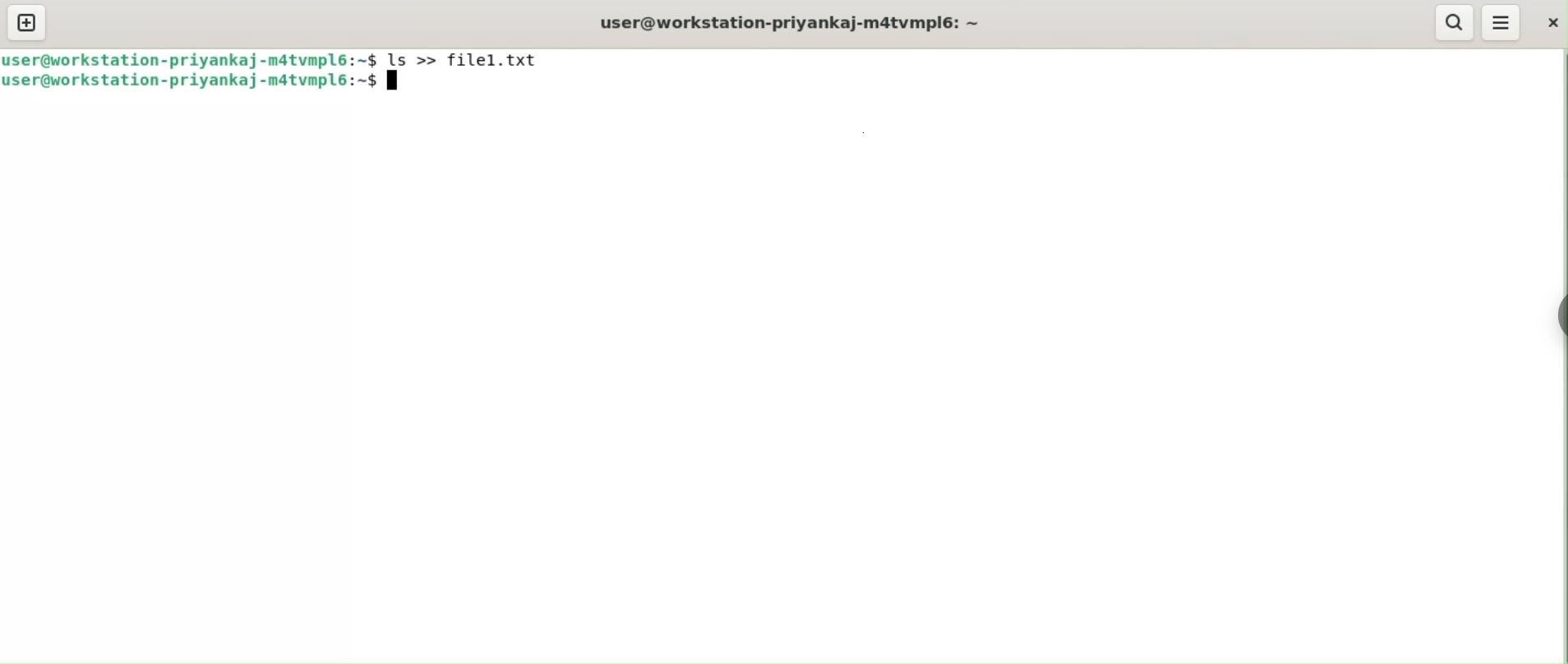  Describe the element at coordinates (191, 59) in the screenshot. I see `user@workstation-priyankaj-m4tvmpl6: ~$` at that location.